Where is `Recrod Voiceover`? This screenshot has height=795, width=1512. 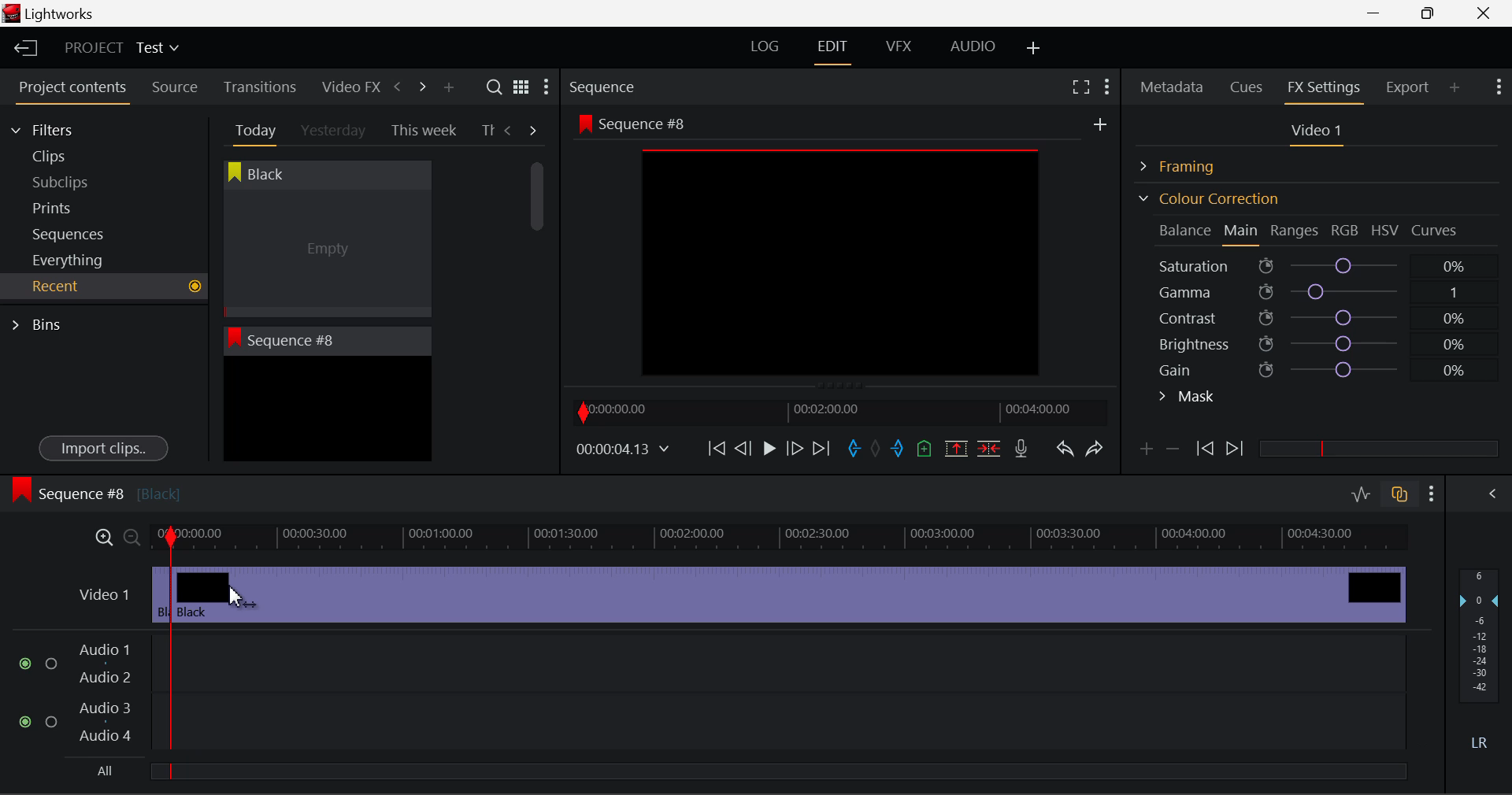 Recrod Voiceover is located at coordinates (1021, 448).